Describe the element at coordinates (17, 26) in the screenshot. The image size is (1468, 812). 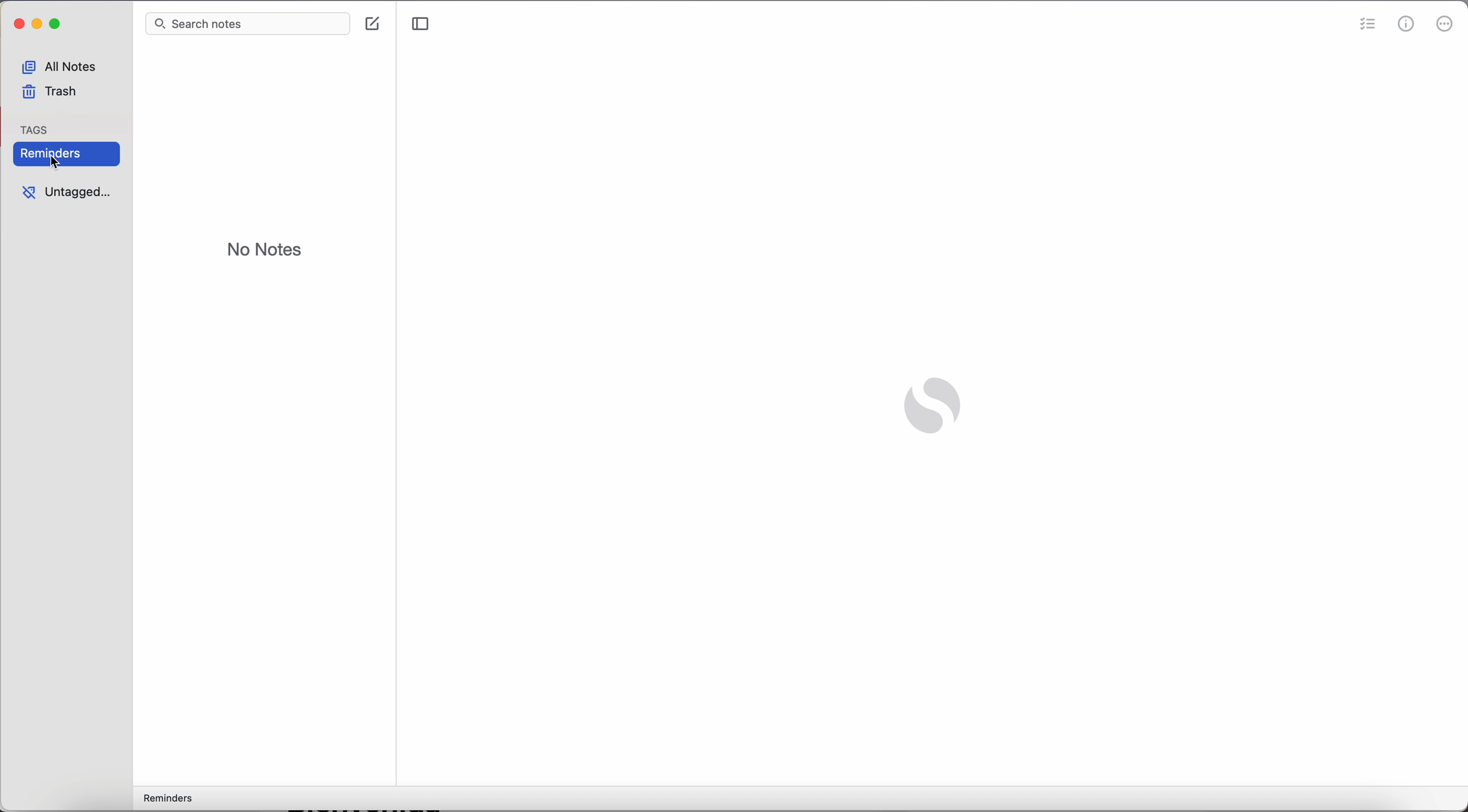
I see `close simplenote` at that location.